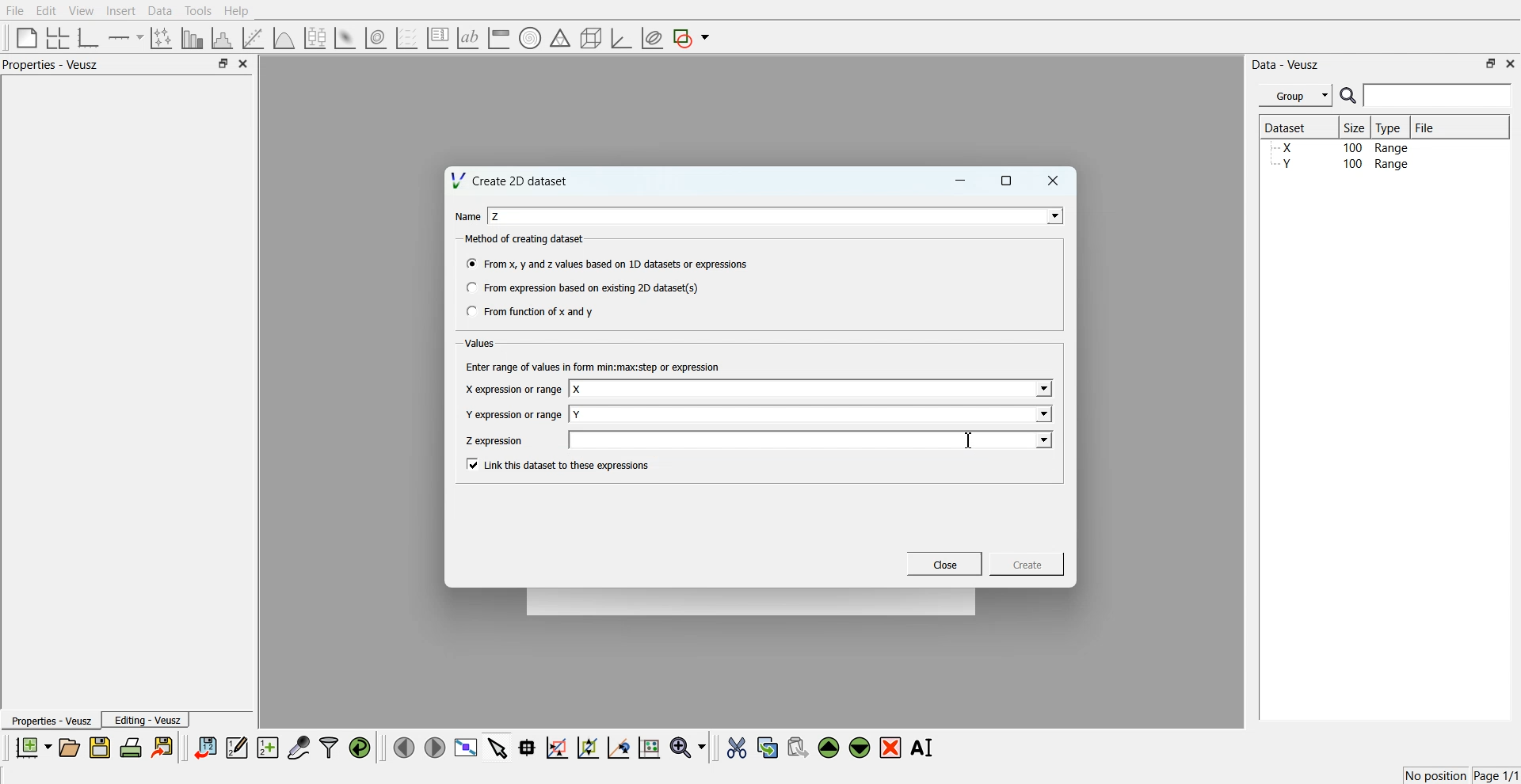 The height and width of the screenshot is (784, 1521). What do you see at coordinates (237, 11) in the screenshot?
I see `Help` at bounding box center [237, 11].